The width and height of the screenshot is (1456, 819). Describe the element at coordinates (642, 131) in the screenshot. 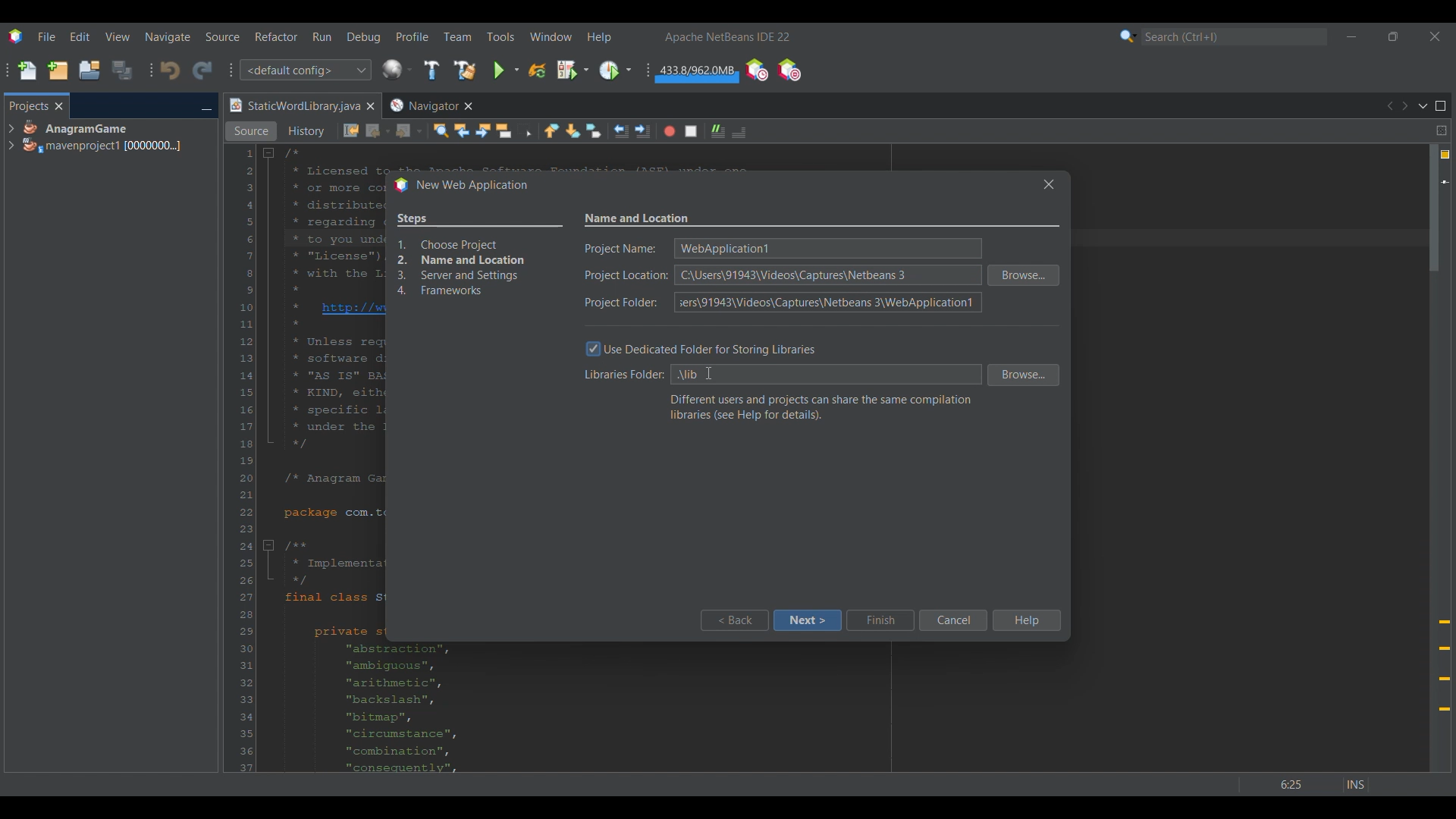

I see `Shift line right` at that location.